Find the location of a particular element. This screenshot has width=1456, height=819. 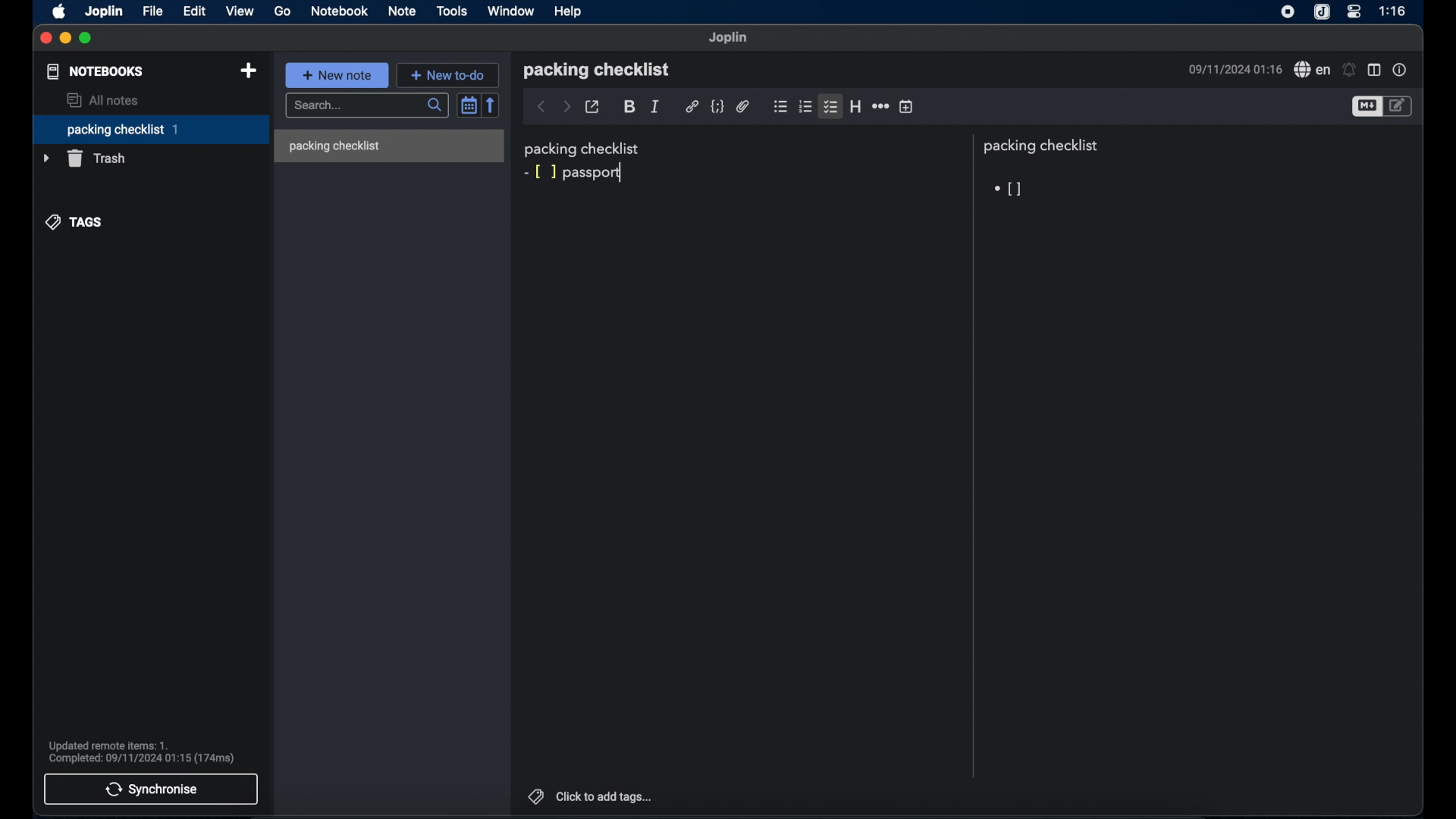

screen recorder icon is located at coordinates (1288, 13).